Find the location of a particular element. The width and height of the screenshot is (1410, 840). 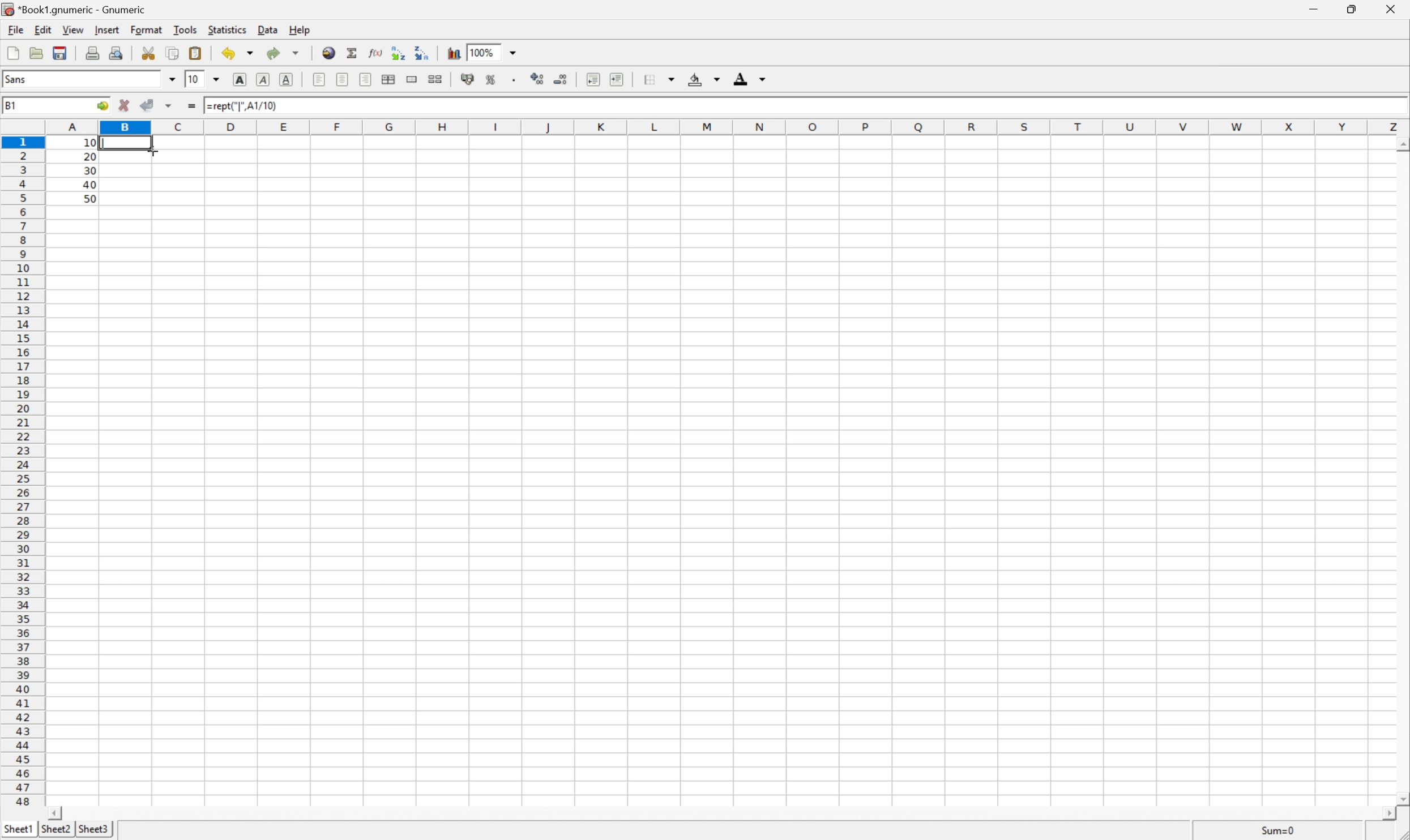

Minimize is located at coordinates (1310, 7).